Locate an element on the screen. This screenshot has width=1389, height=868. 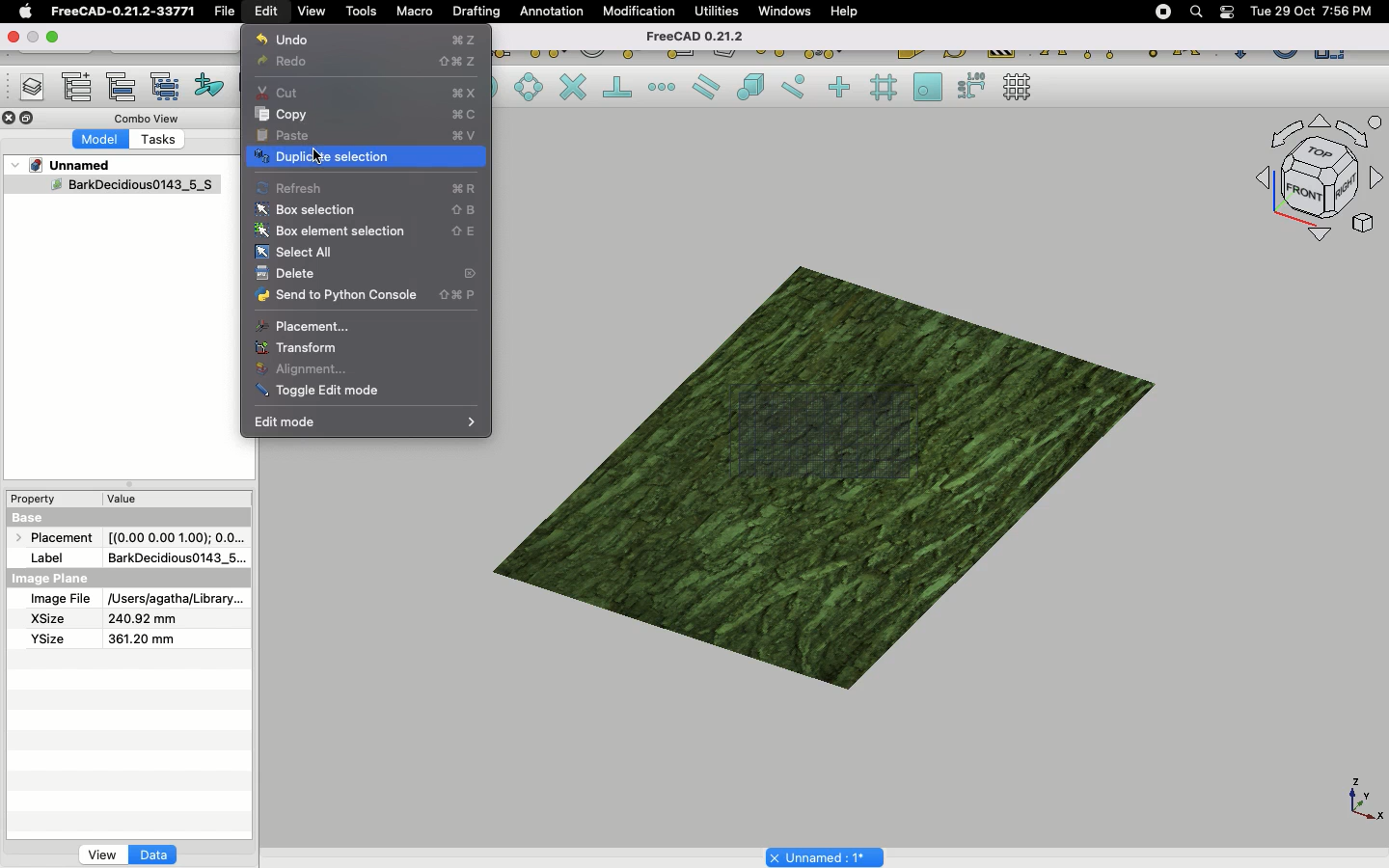
Snap grid is located at coordinates (885, 88).